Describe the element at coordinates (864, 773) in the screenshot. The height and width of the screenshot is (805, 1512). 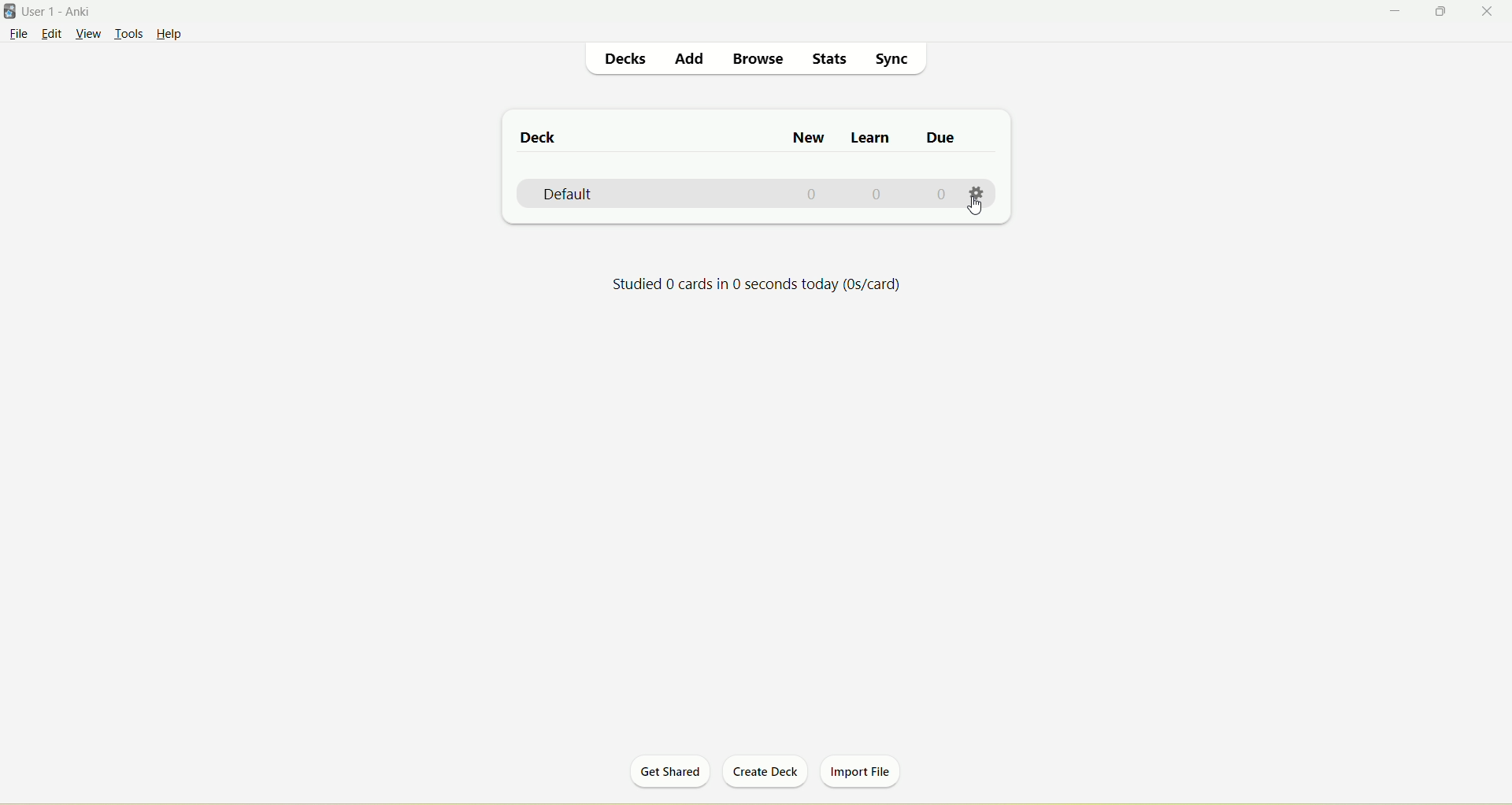
I see `import file` at that location.